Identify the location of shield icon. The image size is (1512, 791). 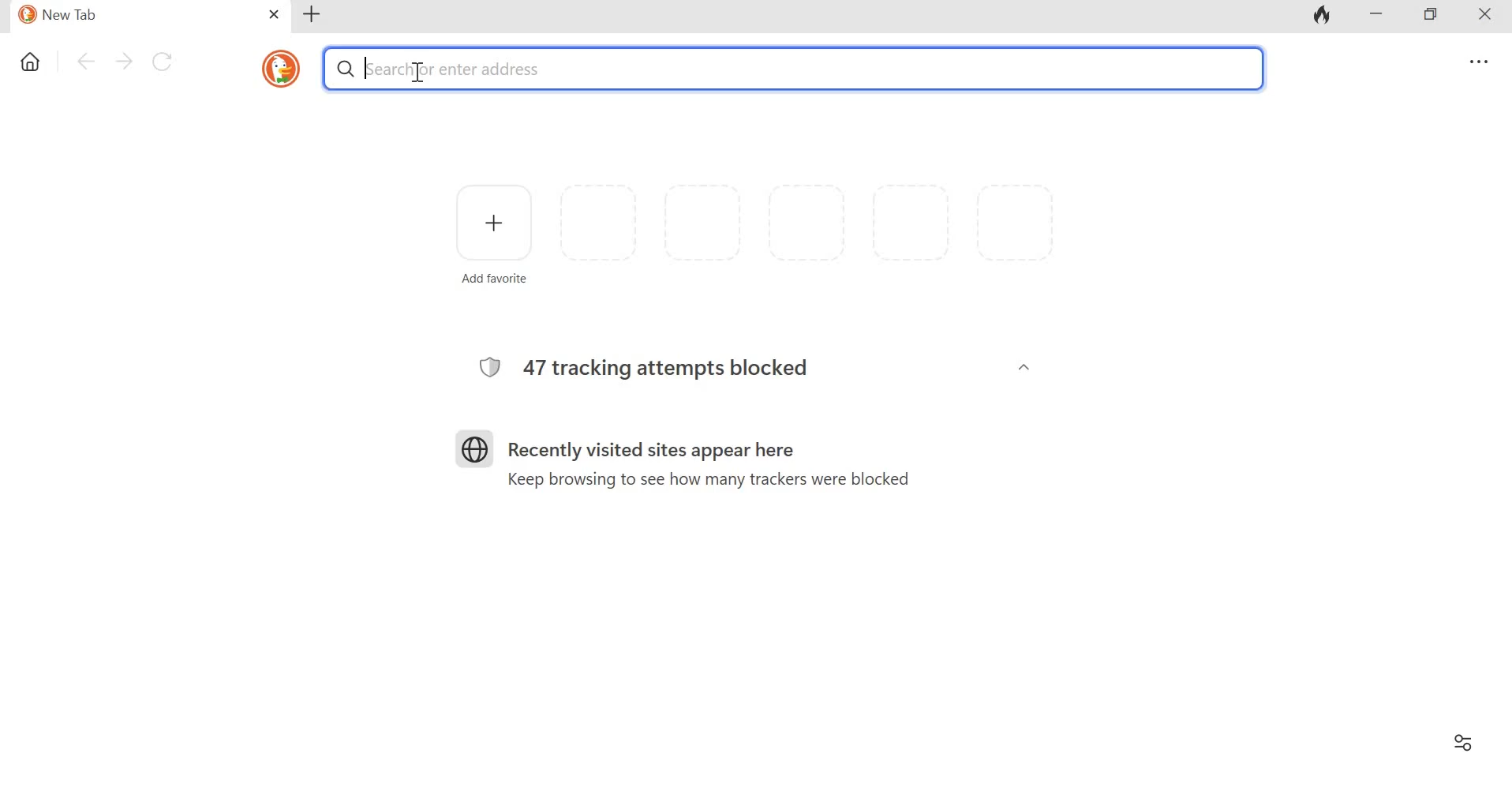
(471, 367).